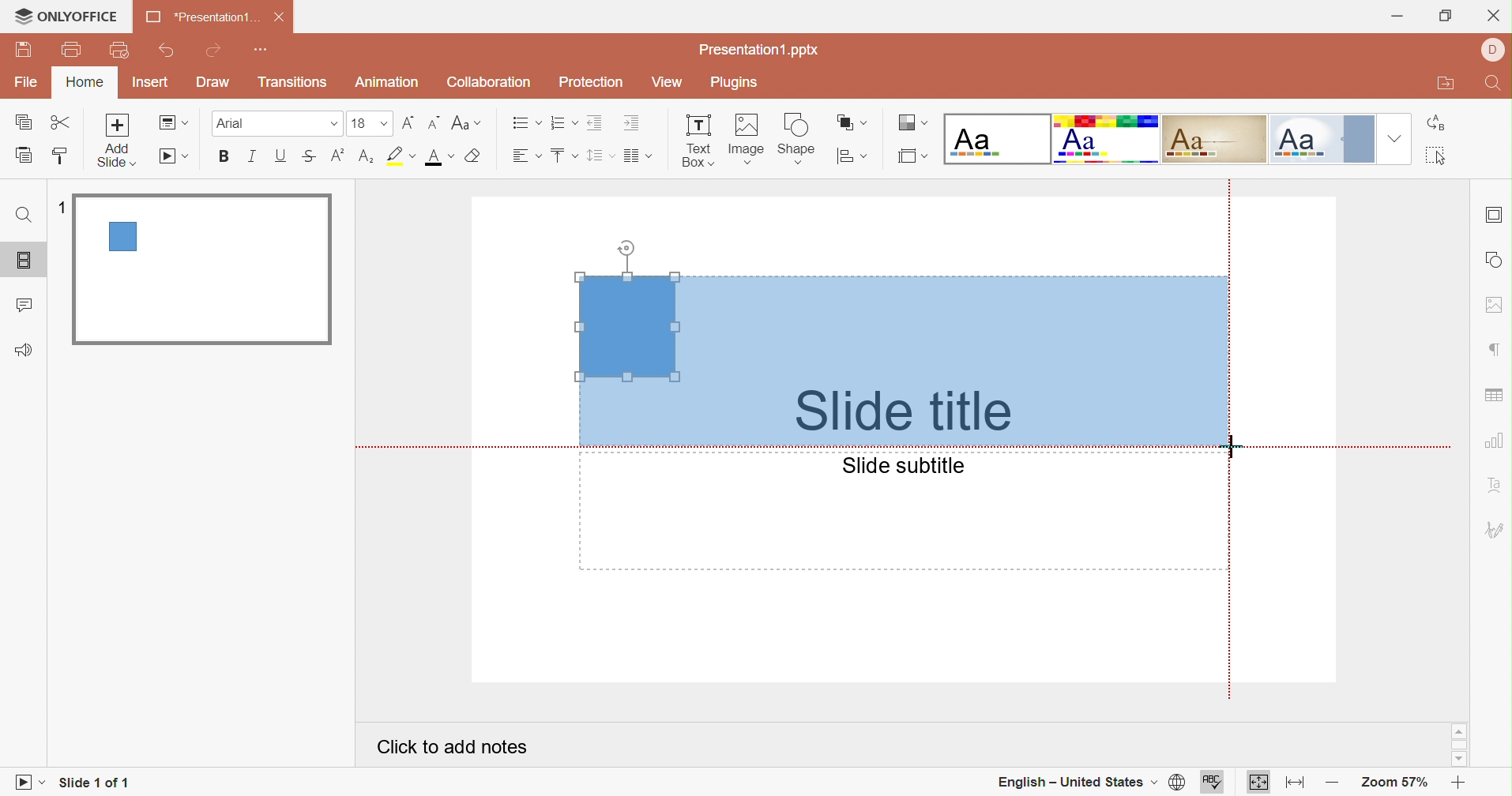 The height and width of the screenshot is (796, 1512). Describe the element at coordinates (528, 156) in the screenshot. I see `Horizontal align` at that location.